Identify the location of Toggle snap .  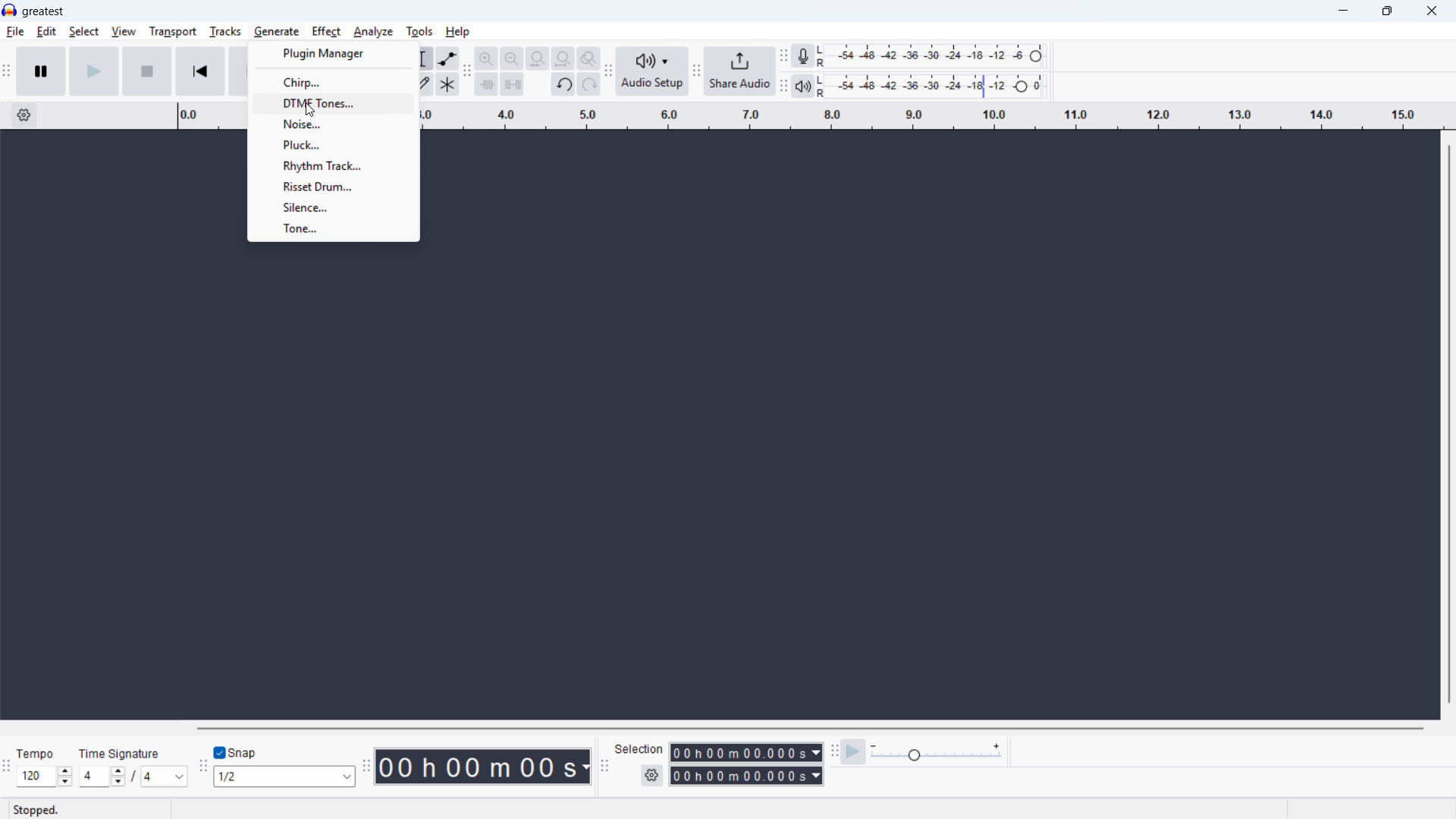
(235, 752).